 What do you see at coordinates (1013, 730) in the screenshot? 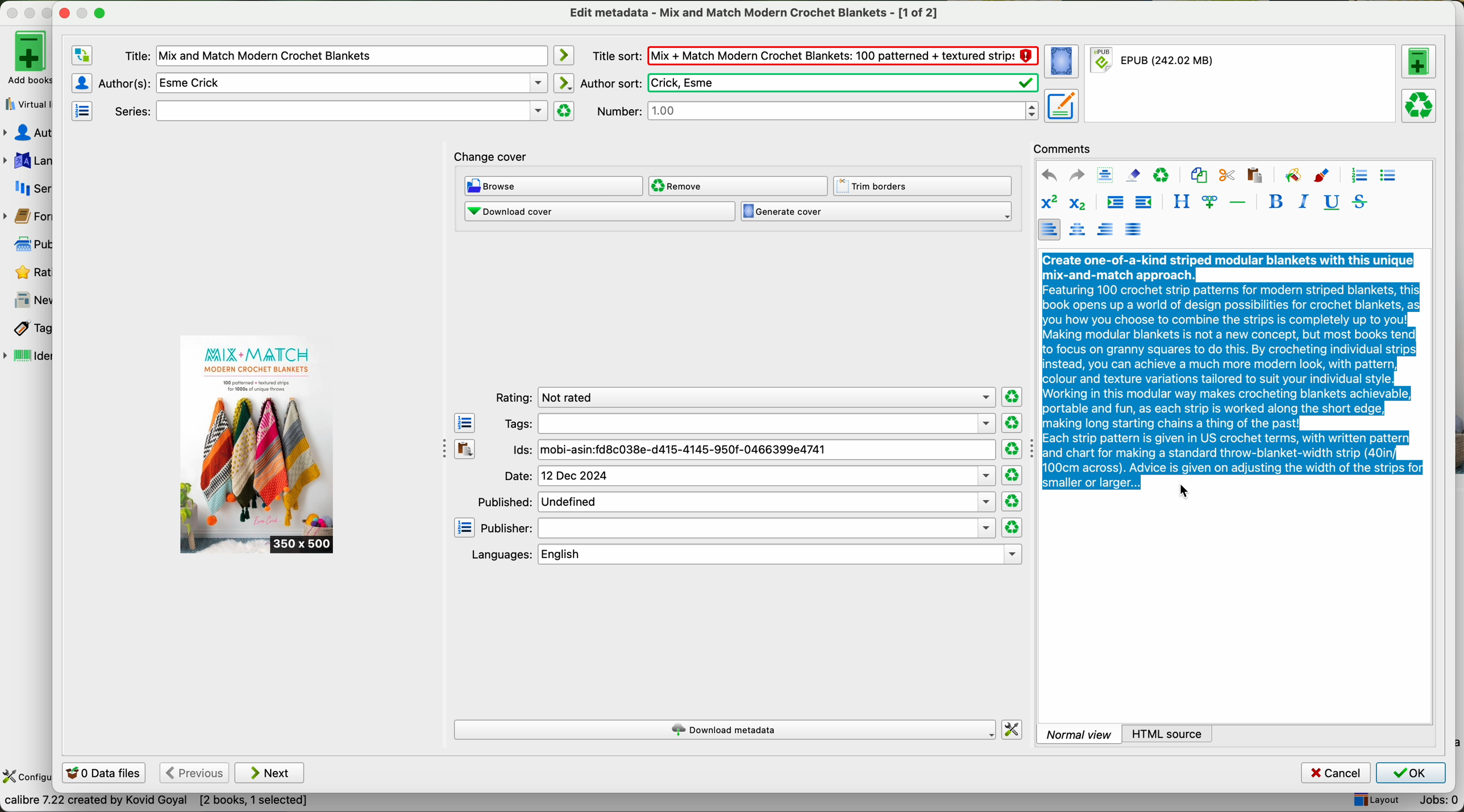
I see `change how calibre downloads metadata` at bounding box center [1013, 730].